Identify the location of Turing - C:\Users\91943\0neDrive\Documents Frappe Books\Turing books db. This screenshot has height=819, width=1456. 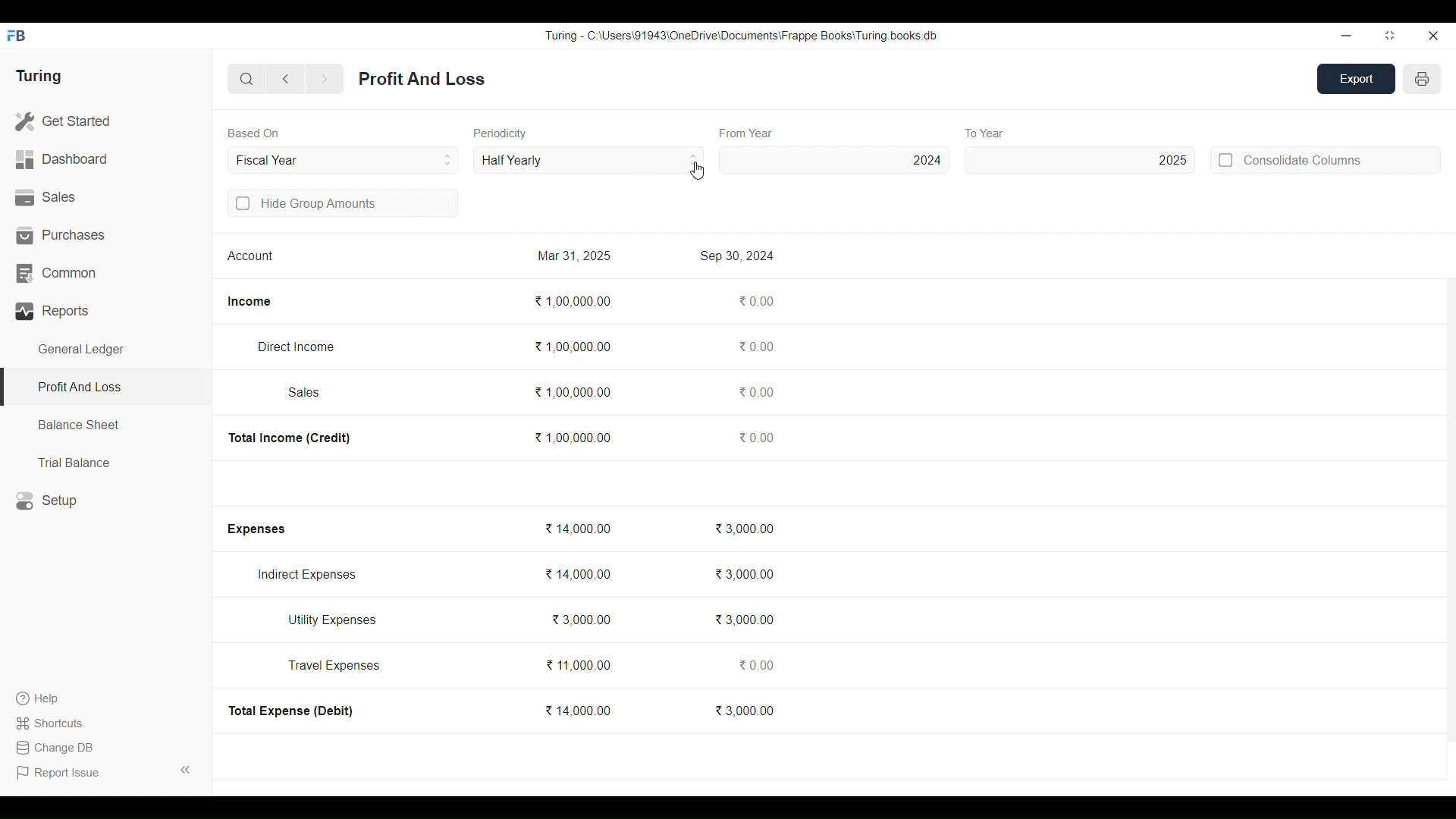
(742, 35).